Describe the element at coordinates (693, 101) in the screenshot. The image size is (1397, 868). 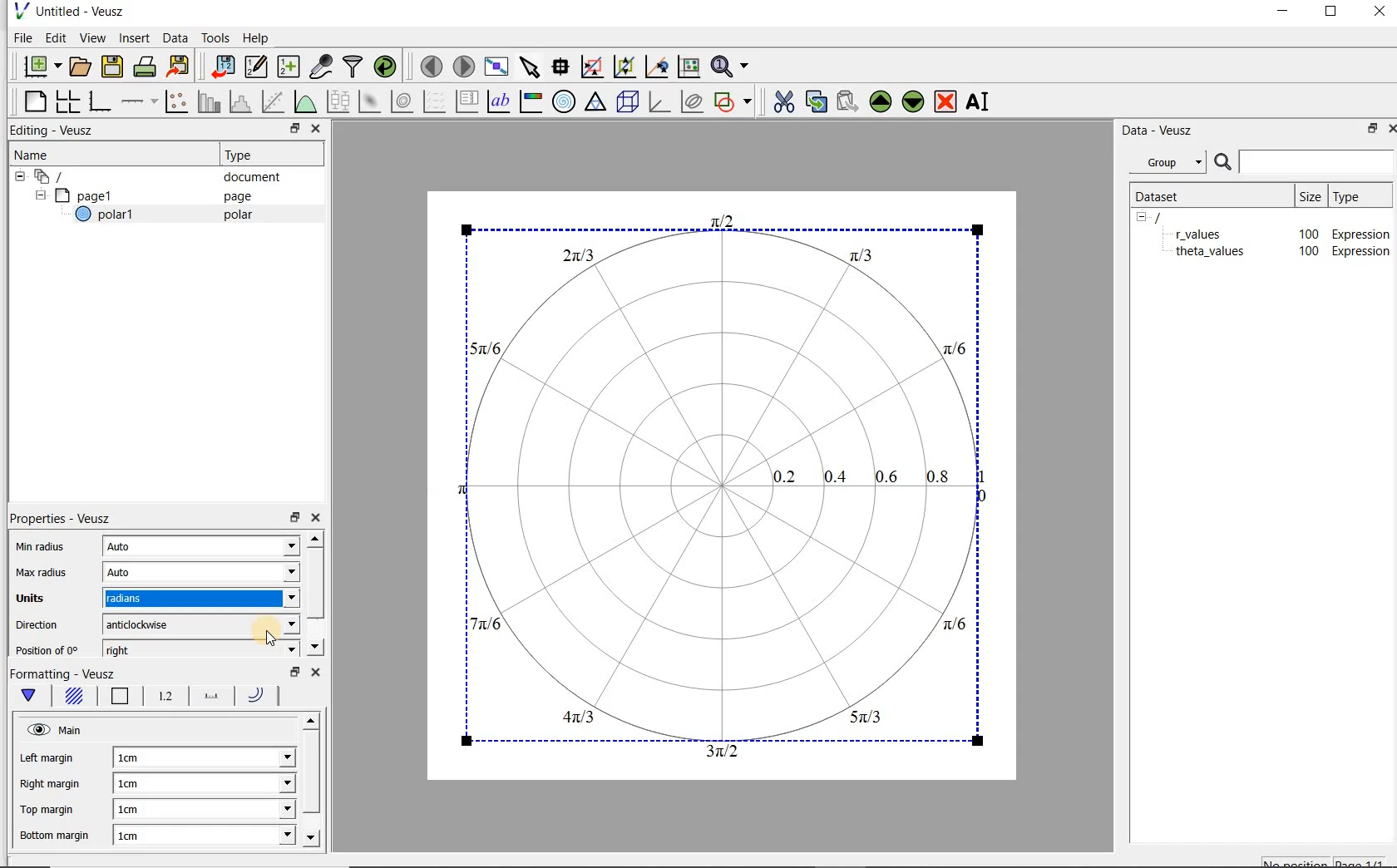
I see `plot covariance ellipses` at that location.